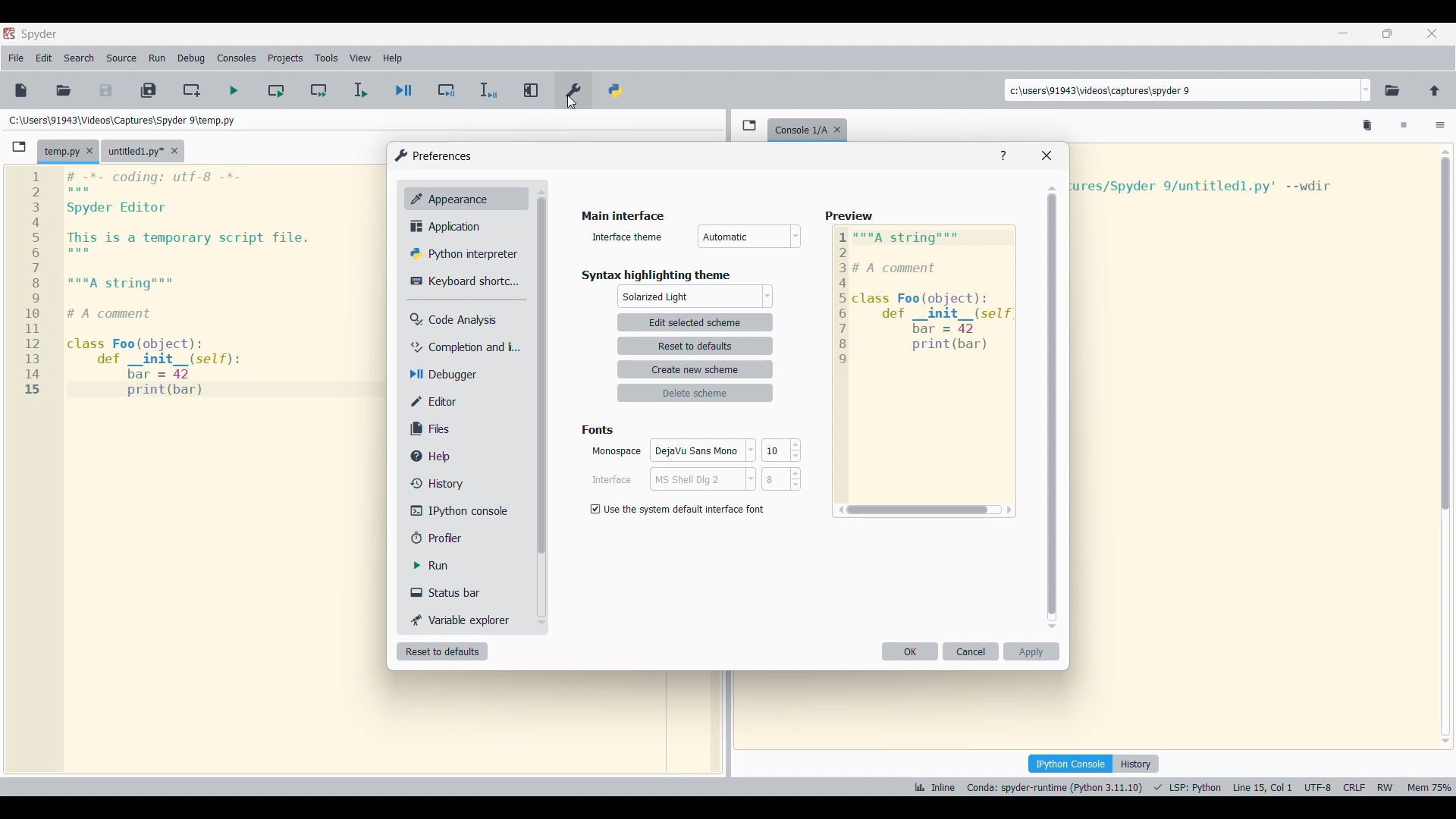 This screenshot has height=819, width=1456. Describe the element at coordinates (1343, 33) in the screenshot. I see `Minimize` at that location.